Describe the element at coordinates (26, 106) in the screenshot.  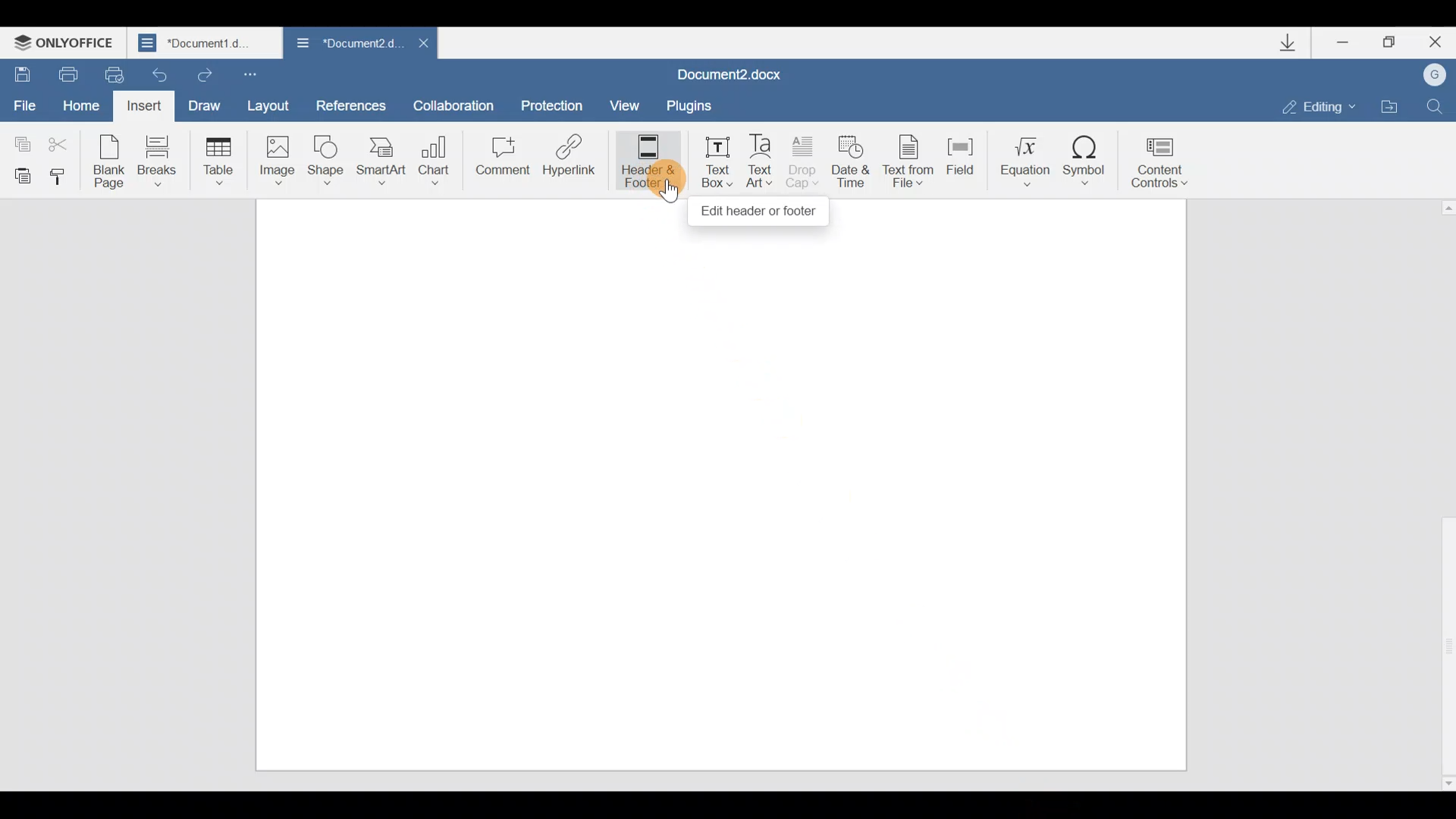
I see `File` at that location.